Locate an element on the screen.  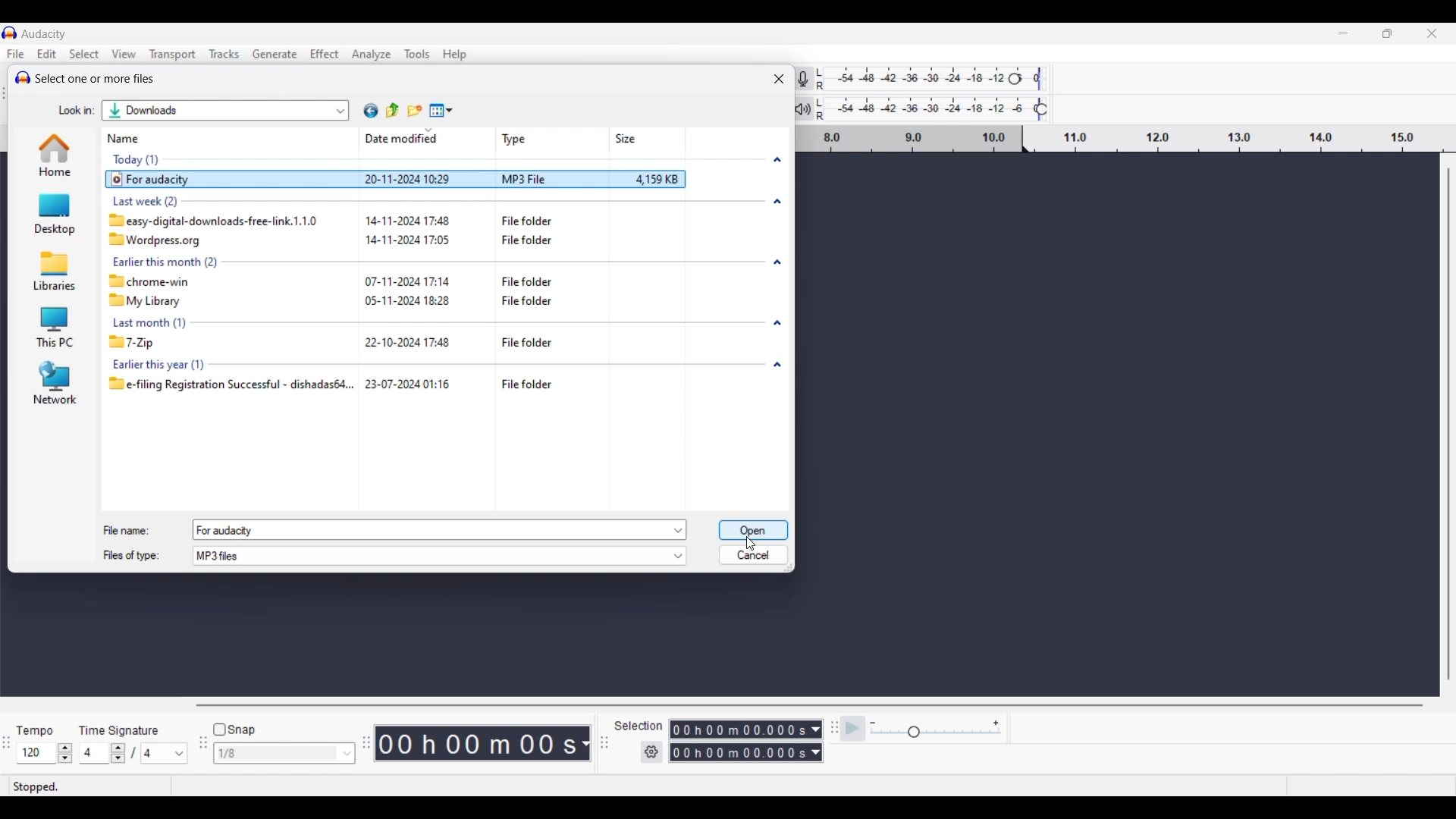
Effect menu is located at coordinates (325, 54).